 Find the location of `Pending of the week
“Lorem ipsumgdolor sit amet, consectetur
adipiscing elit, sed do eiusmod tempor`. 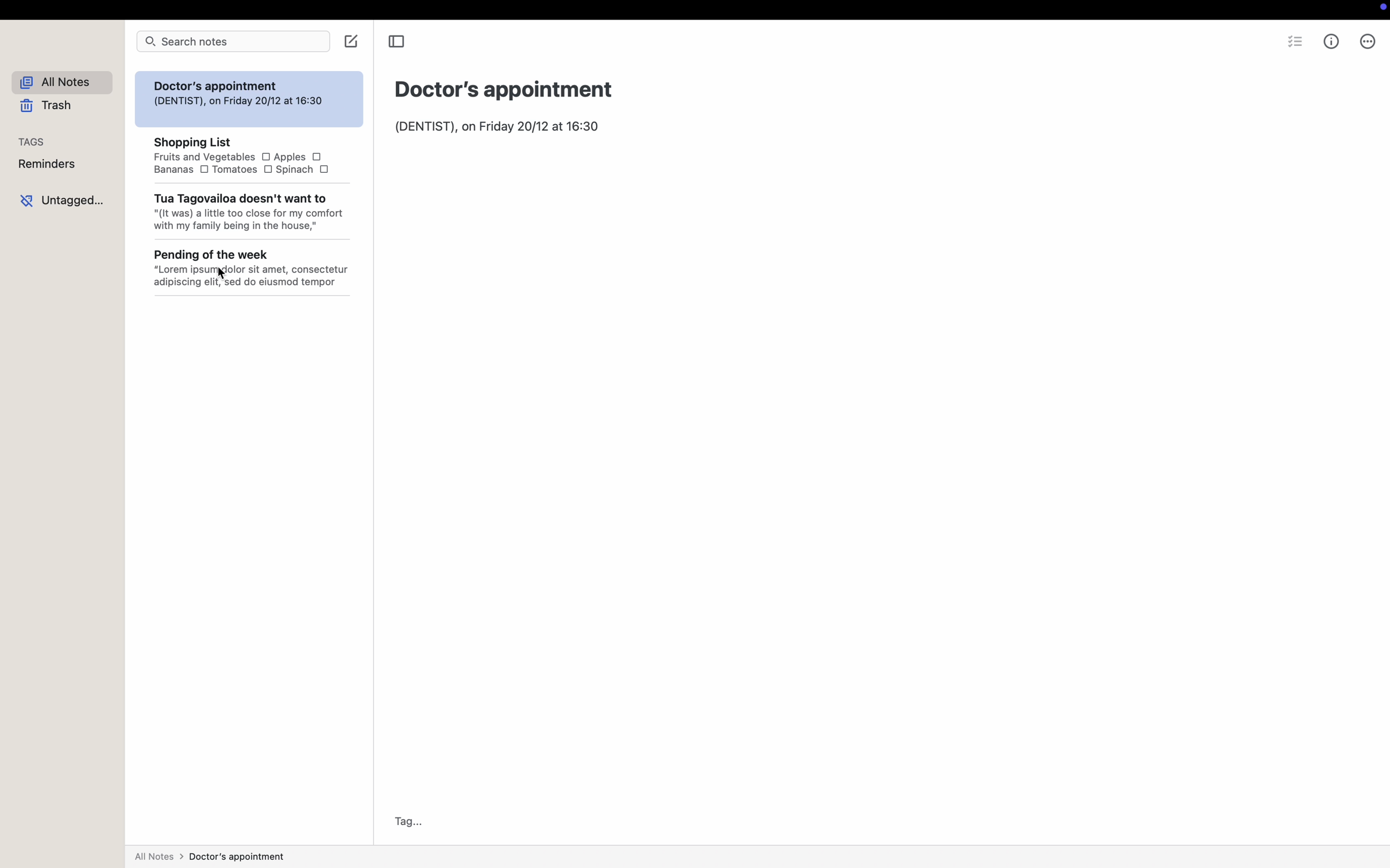

Pending of the week
“Lorem ipsumgdolor sit amet, consectetur
adipiscing elit, sed do eiusmod tempor is located at coordinates (246, 270).